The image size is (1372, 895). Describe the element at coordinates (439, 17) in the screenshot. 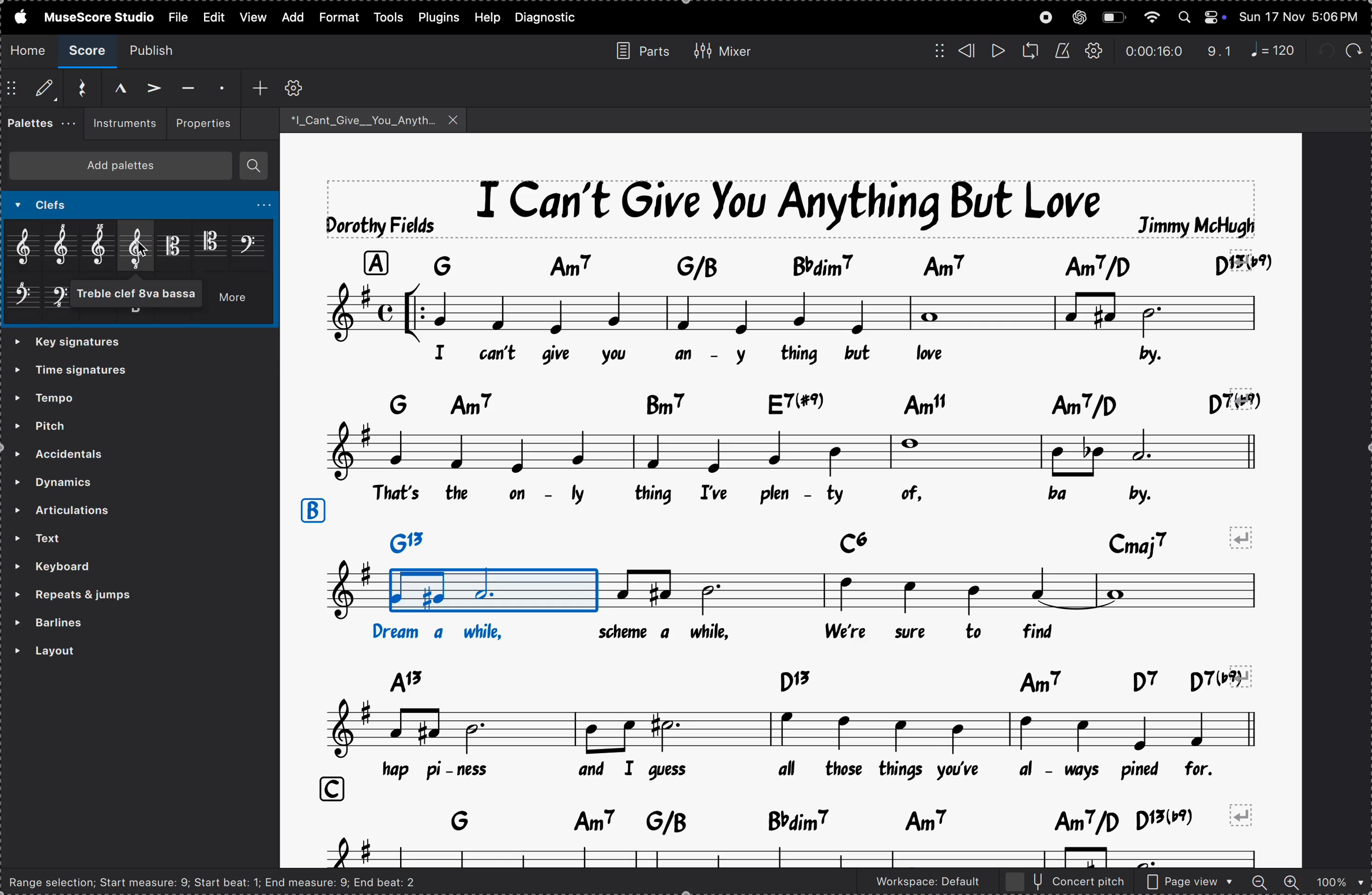

I see `plugins` at that location.